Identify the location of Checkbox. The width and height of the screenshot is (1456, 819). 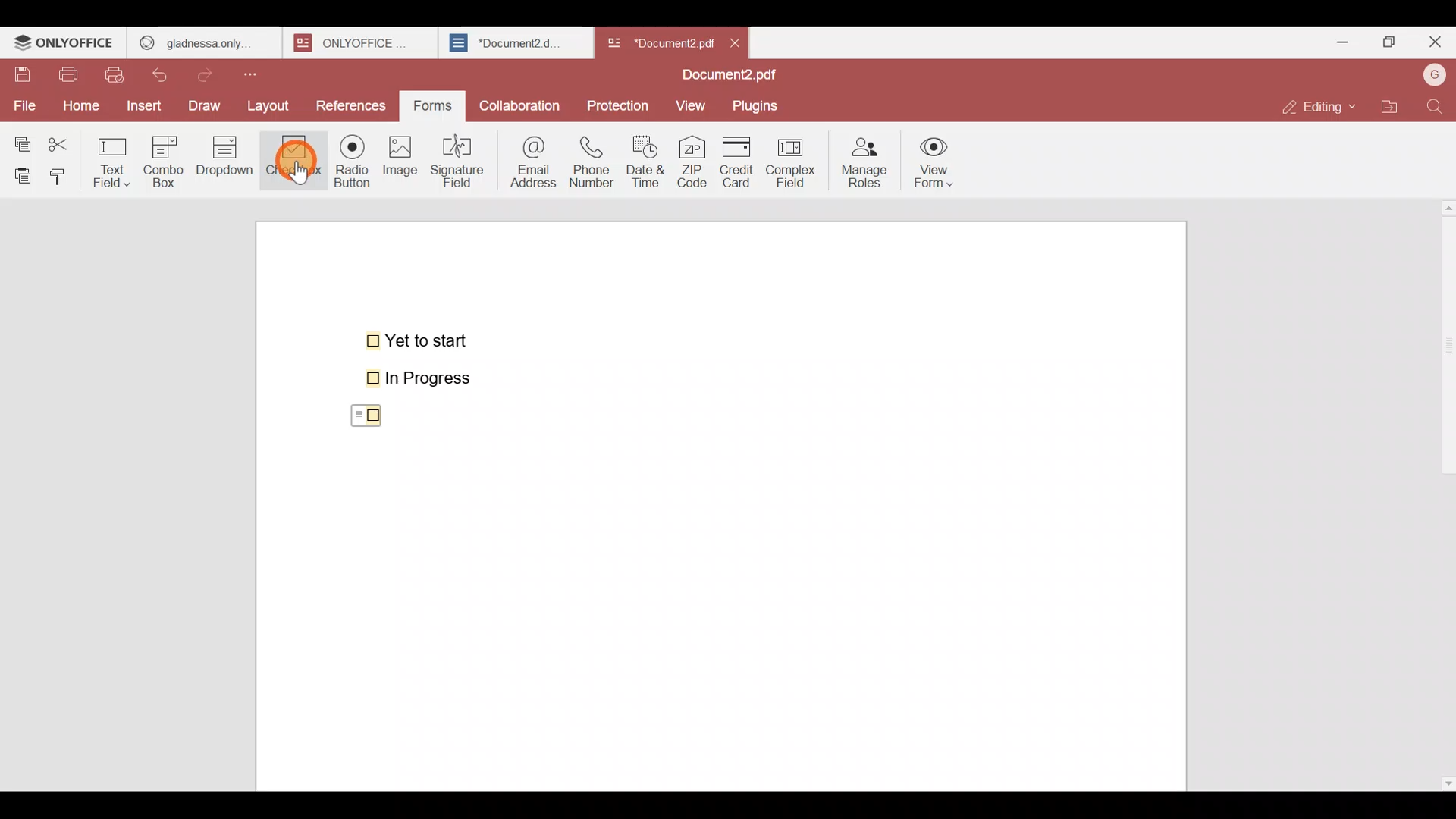
(360, 418).